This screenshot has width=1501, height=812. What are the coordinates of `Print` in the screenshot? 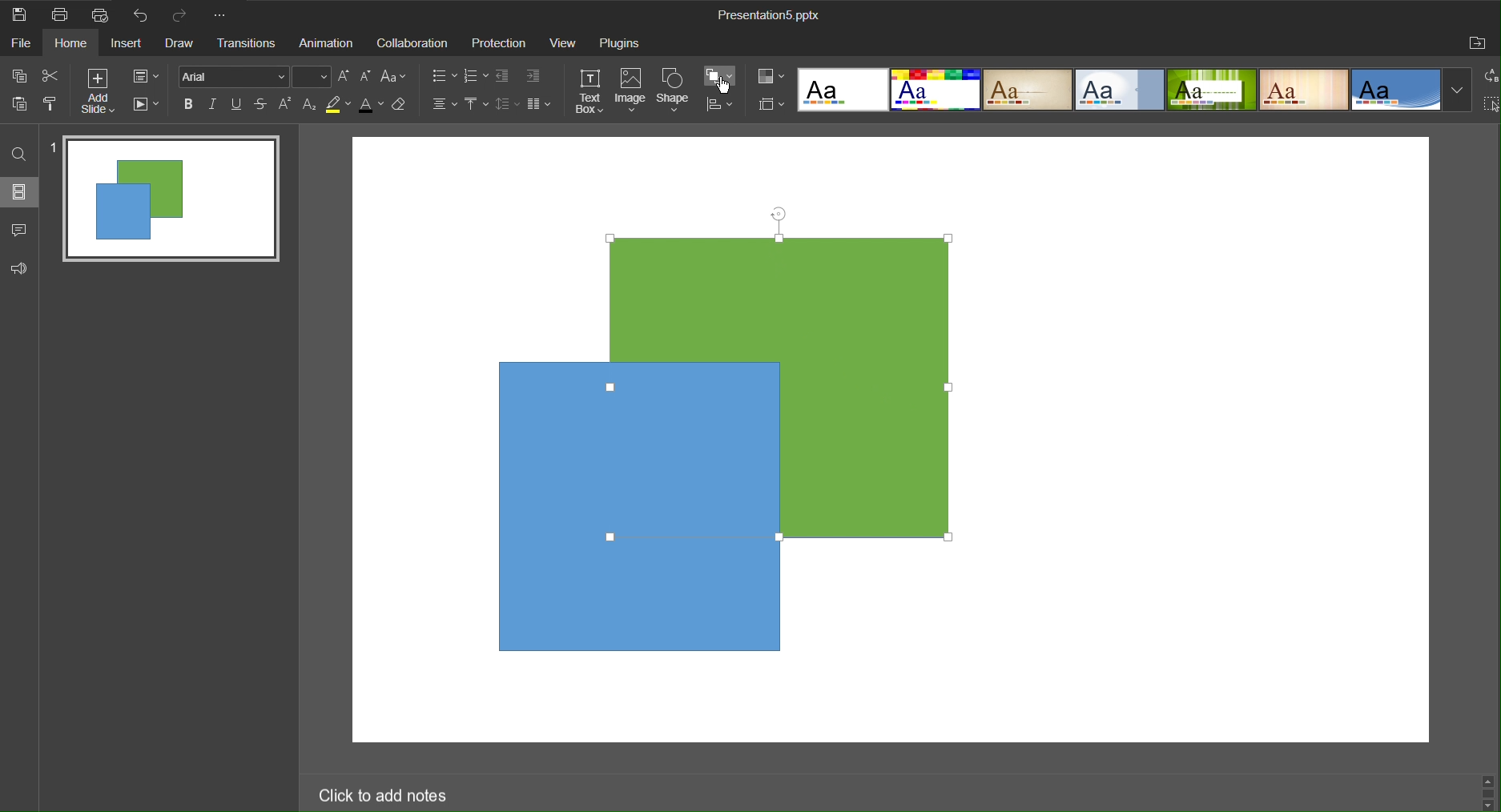 It's located at (63, 14).